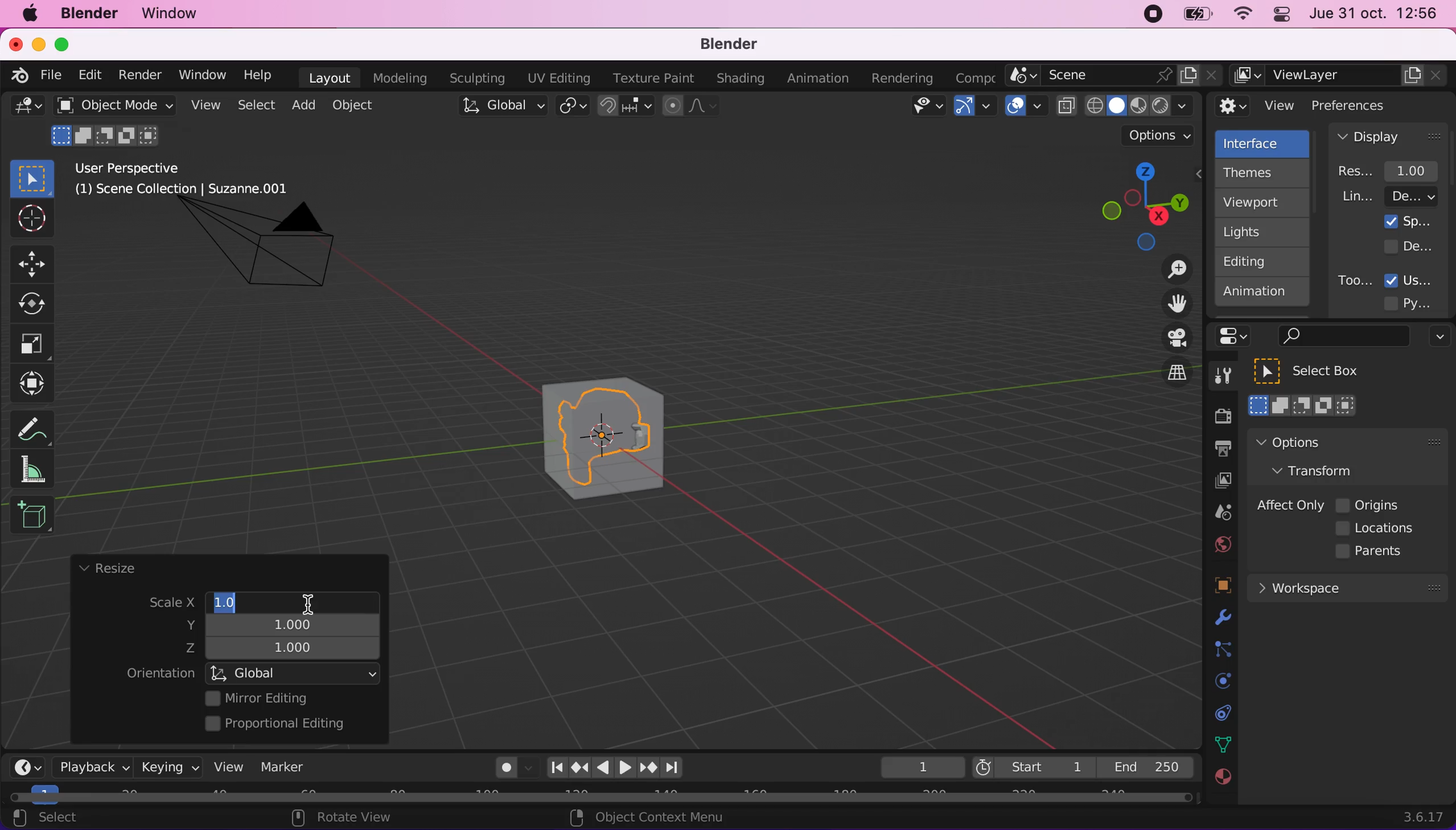  I want to click on view layer, so click(1340, 76).